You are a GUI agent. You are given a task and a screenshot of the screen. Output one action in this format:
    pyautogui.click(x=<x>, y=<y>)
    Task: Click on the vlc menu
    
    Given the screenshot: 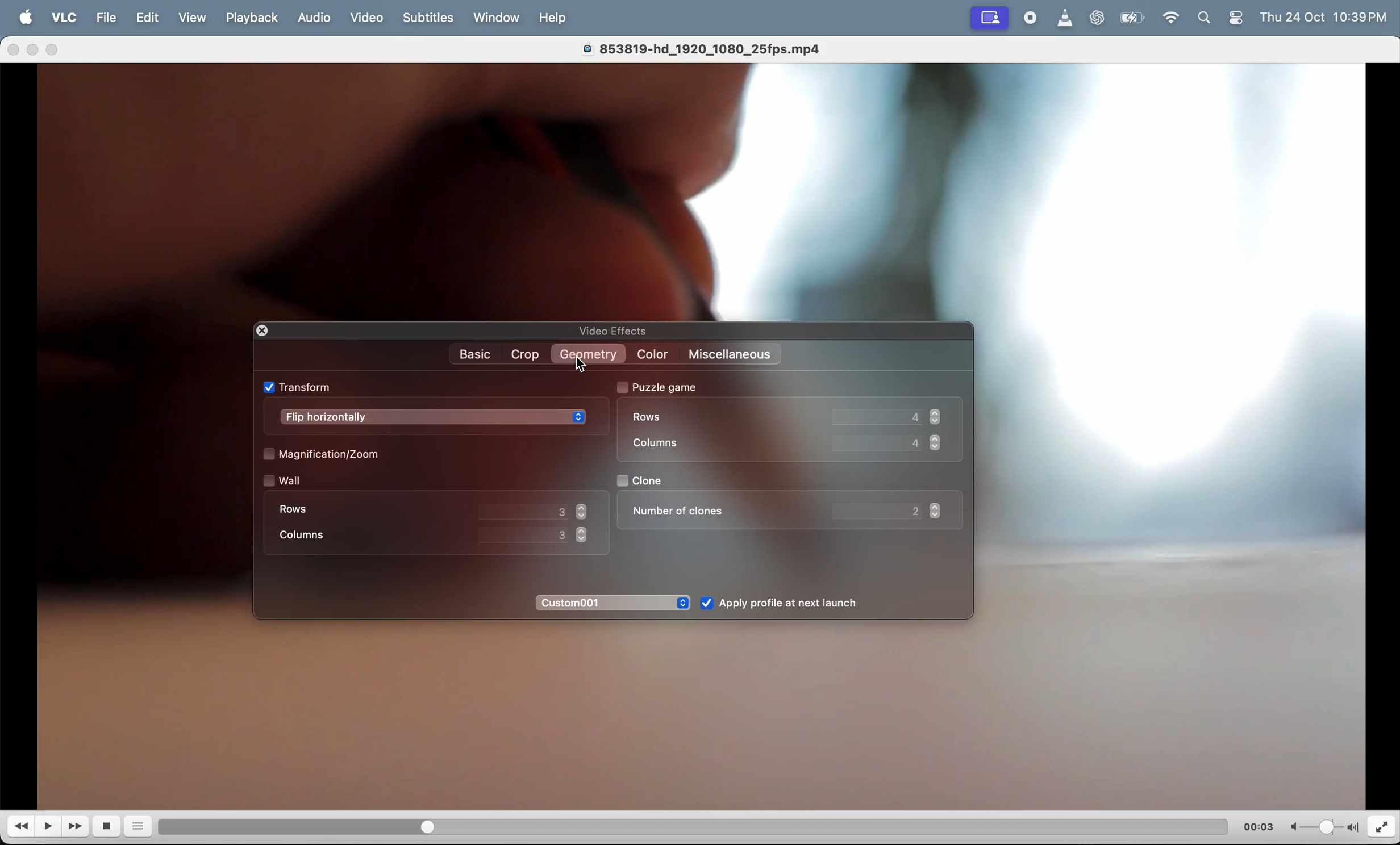 What is the action you would take?
    pyautogui.click(x=63, y=19)
    